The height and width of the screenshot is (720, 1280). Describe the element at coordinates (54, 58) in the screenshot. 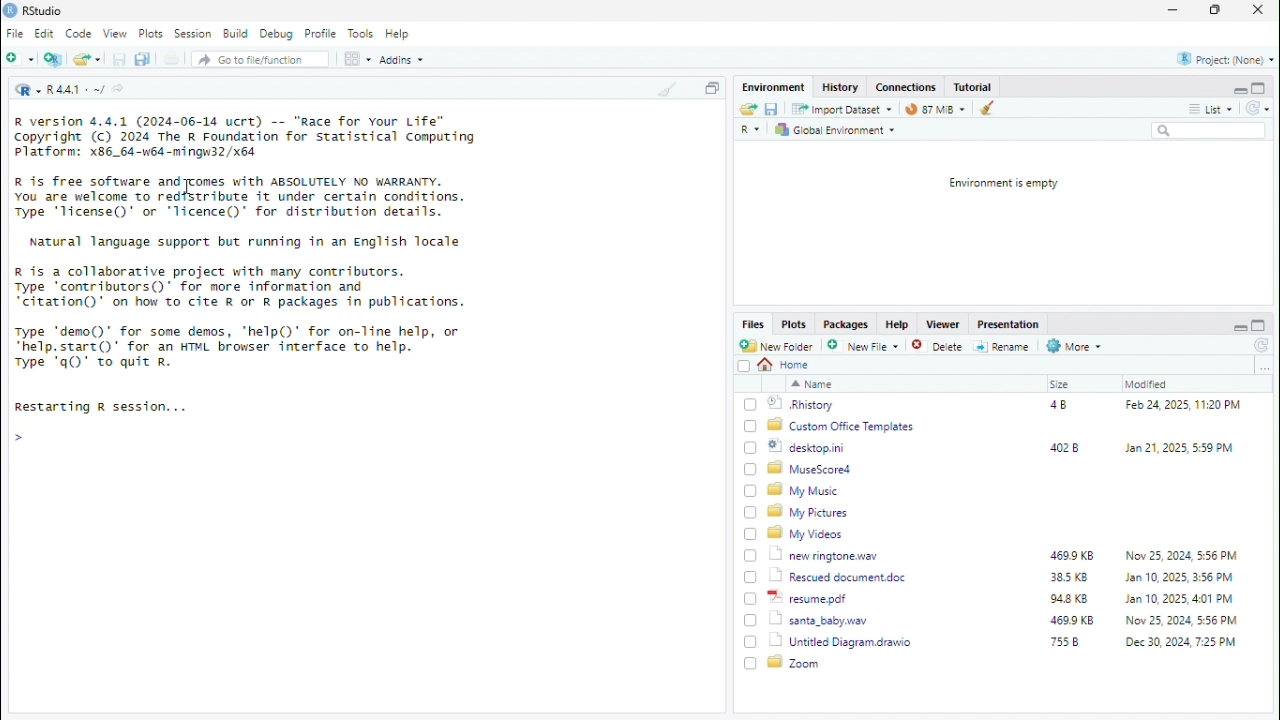

I see `New file` at that location.